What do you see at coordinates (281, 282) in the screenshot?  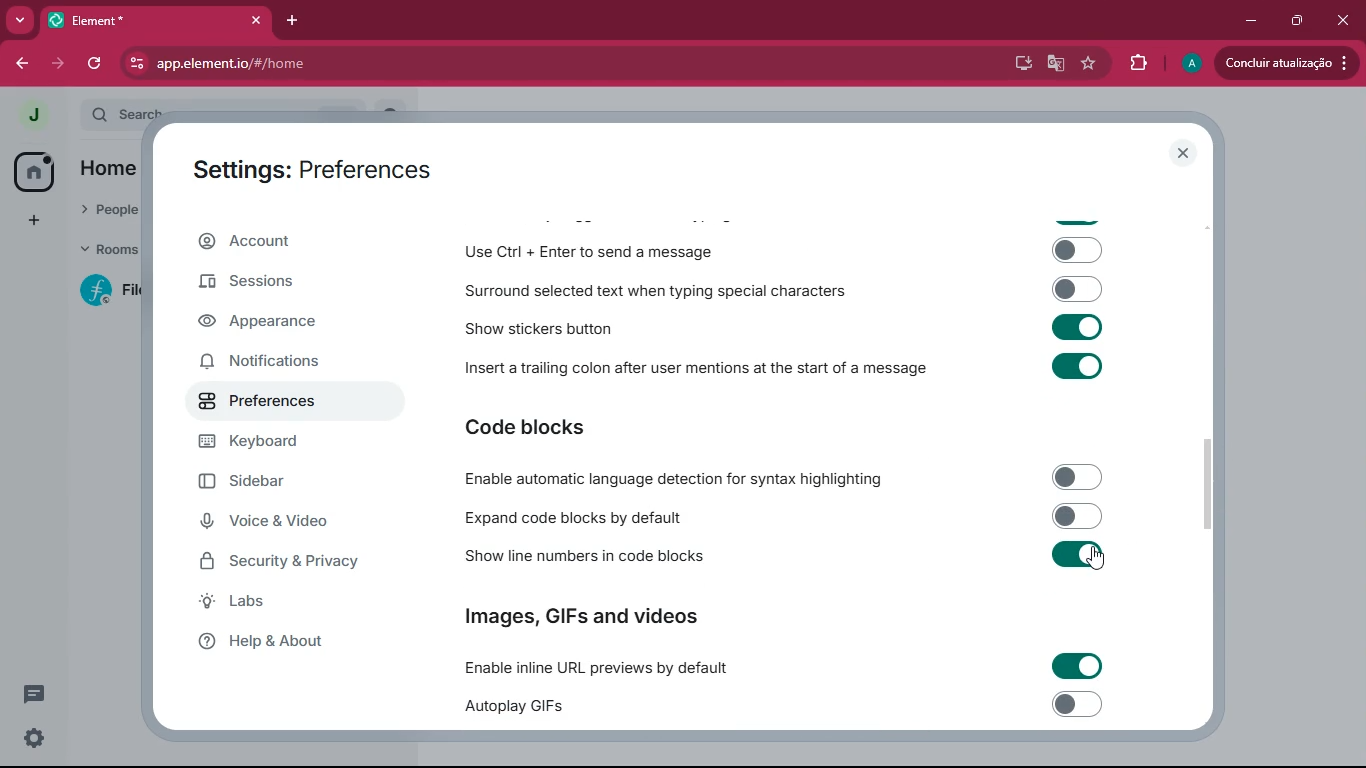 I see `sessions` at bounding box center [281, 282].